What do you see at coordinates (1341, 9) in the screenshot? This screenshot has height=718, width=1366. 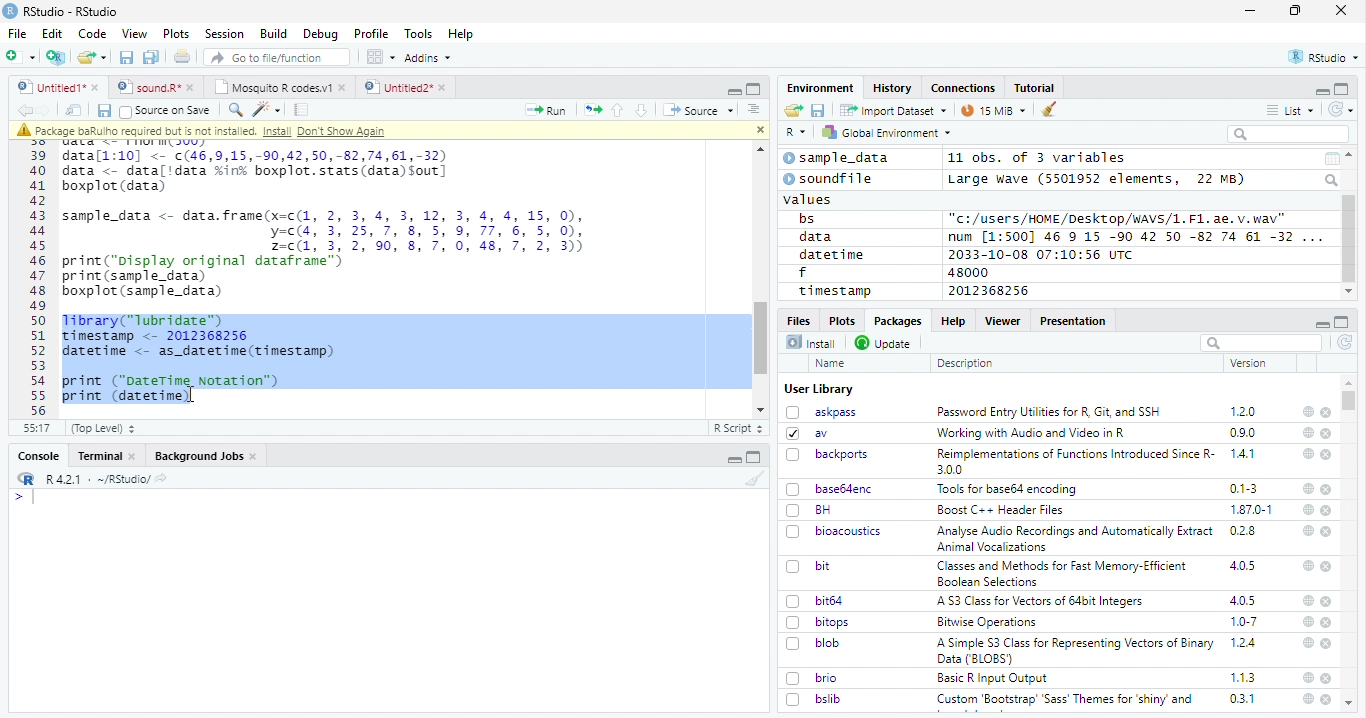 I see `close` at bounding box center [1341, 9].